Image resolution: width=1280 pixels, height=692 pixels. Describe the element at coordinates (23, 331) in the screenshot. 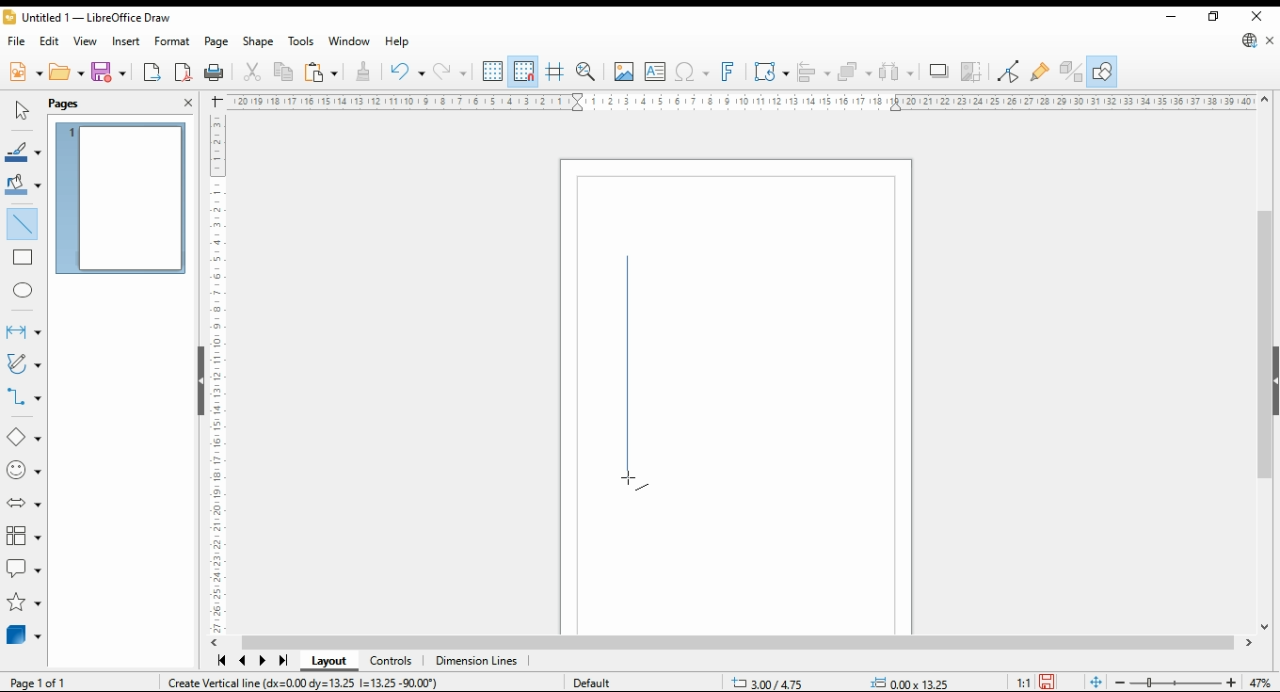

I see `lines and arrows` at that location.